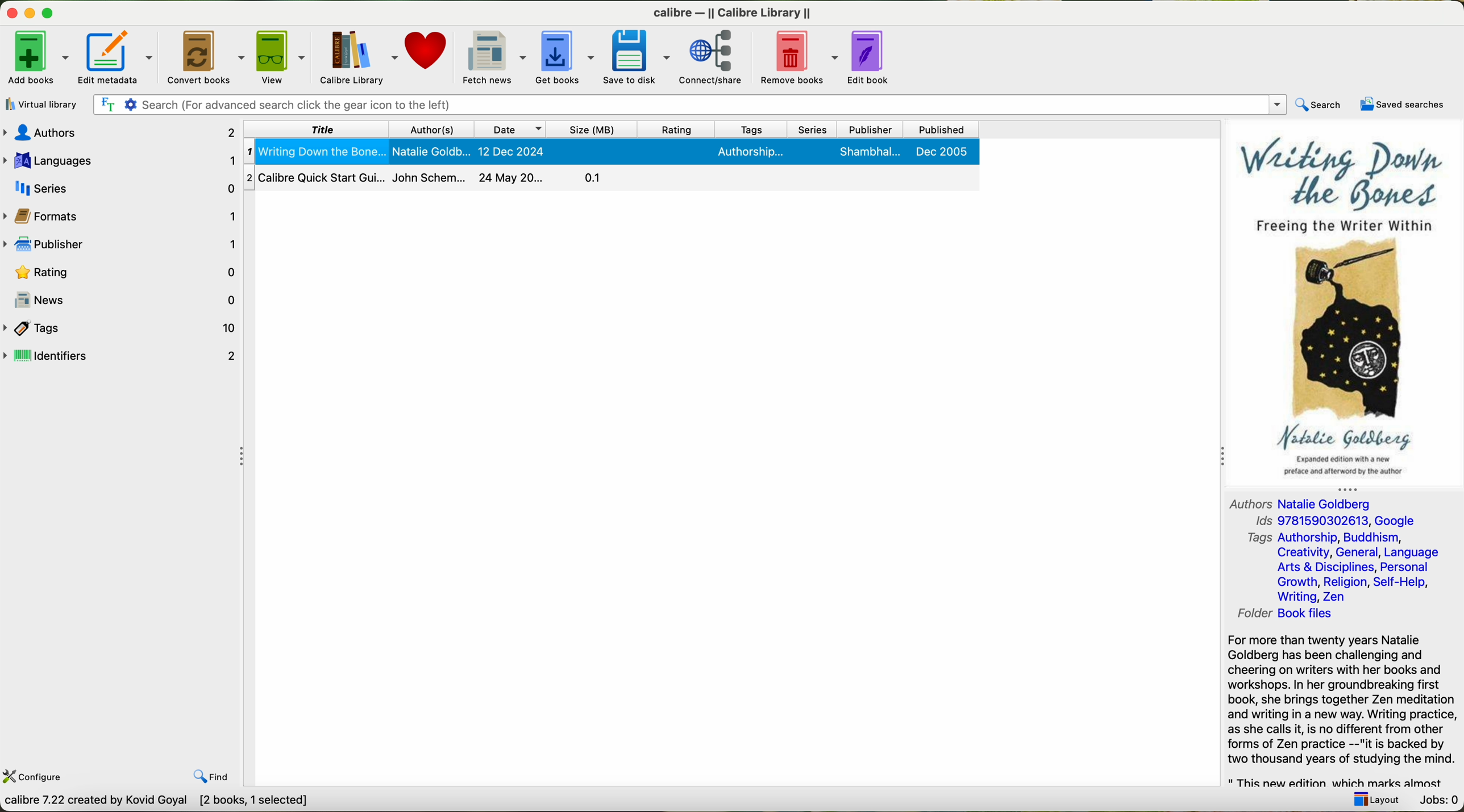 The image size is (1464, 812). What do you see at coordinates (1345, 711) in the screenshot?
I see `for more than twenty years Natale Goldbeng has challengigng and cheering on writers with her books and workshops.in her groundbreaking book she bring Zen meditation and write in a new way.writing preactice as she called it not different from other zen practices.` at bounding box center [1345, 711].